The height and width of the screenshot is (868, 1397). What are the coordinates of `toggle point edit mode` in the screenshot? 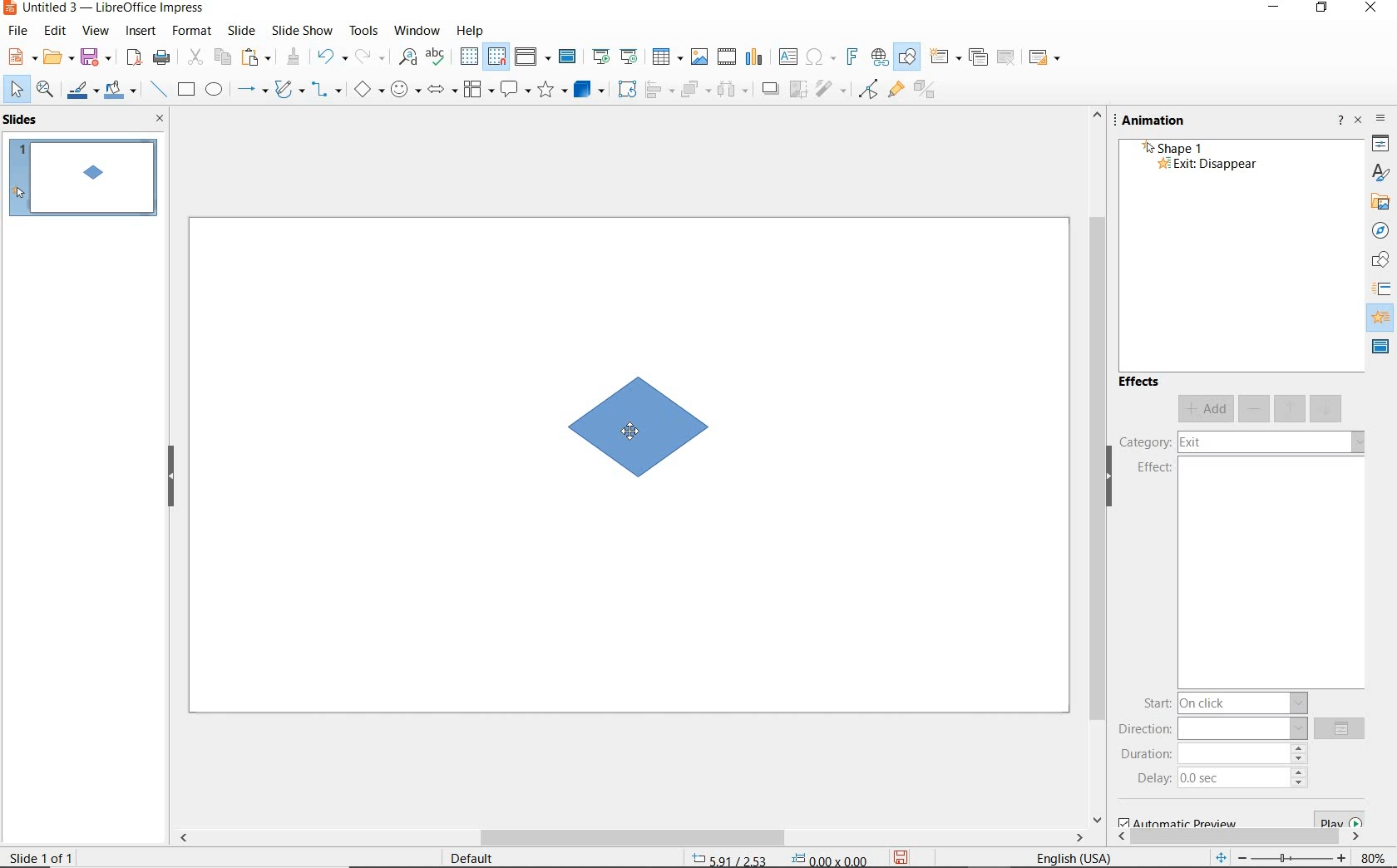 It's located at (868, 90).